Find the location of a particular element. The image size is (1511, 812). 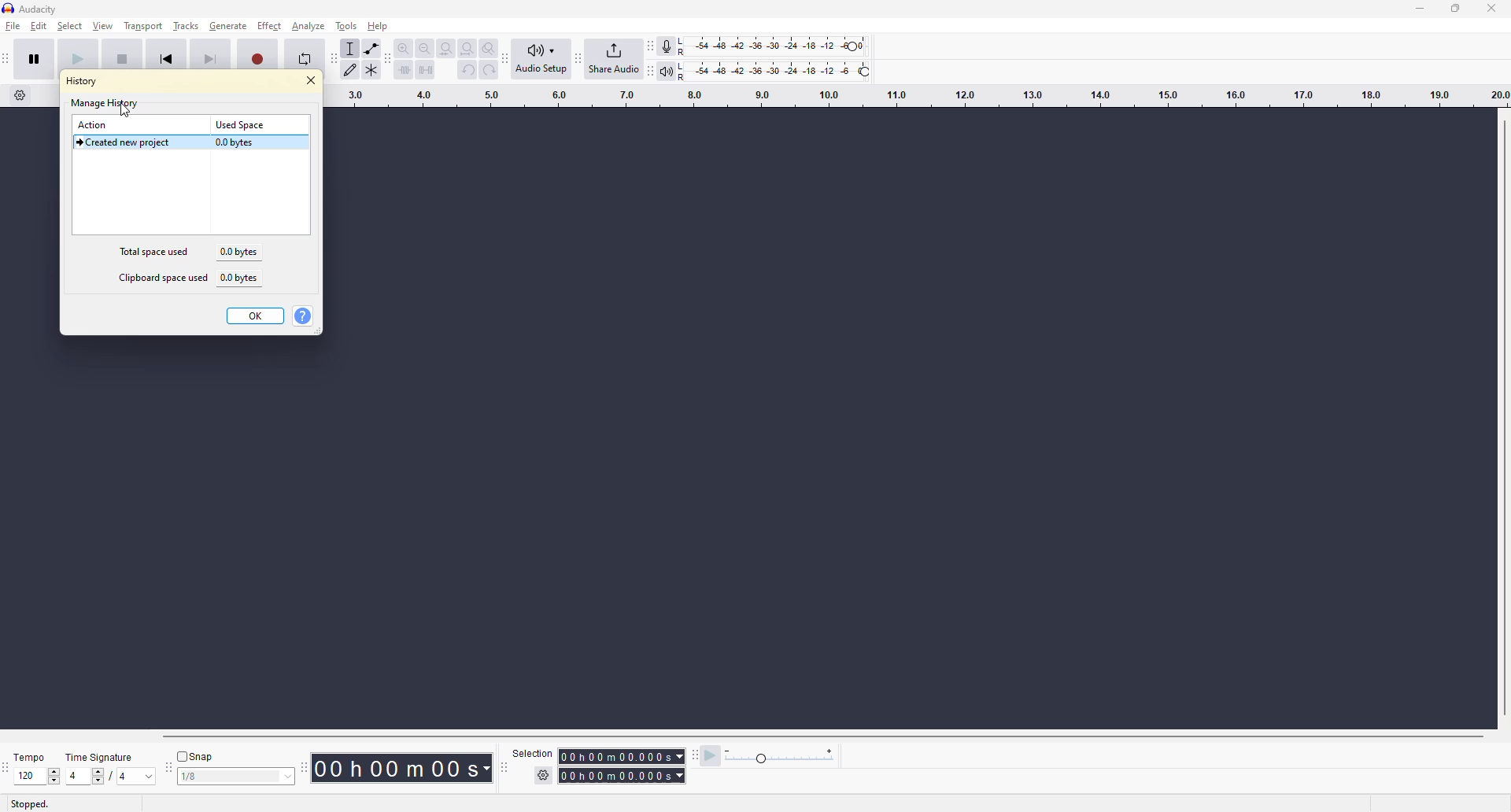

zoom in is located at coordinates (405, 49).